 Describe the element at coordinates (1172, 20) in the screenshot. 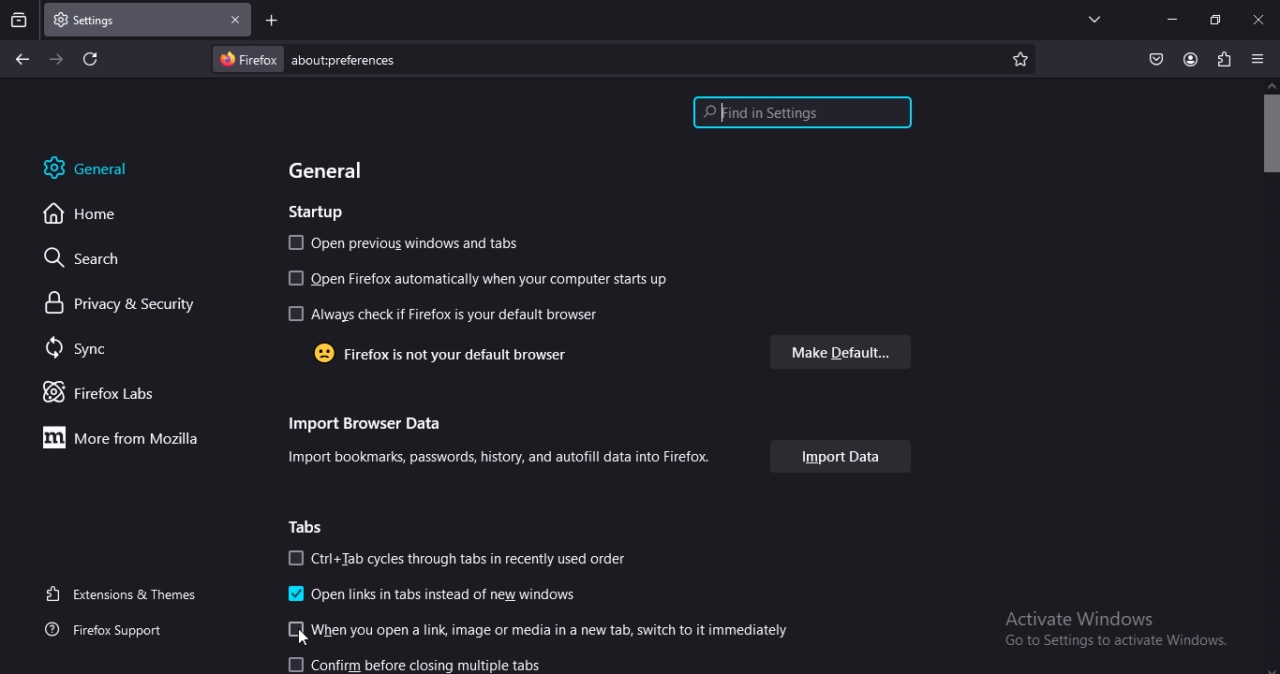

I see `minimize` at that location.